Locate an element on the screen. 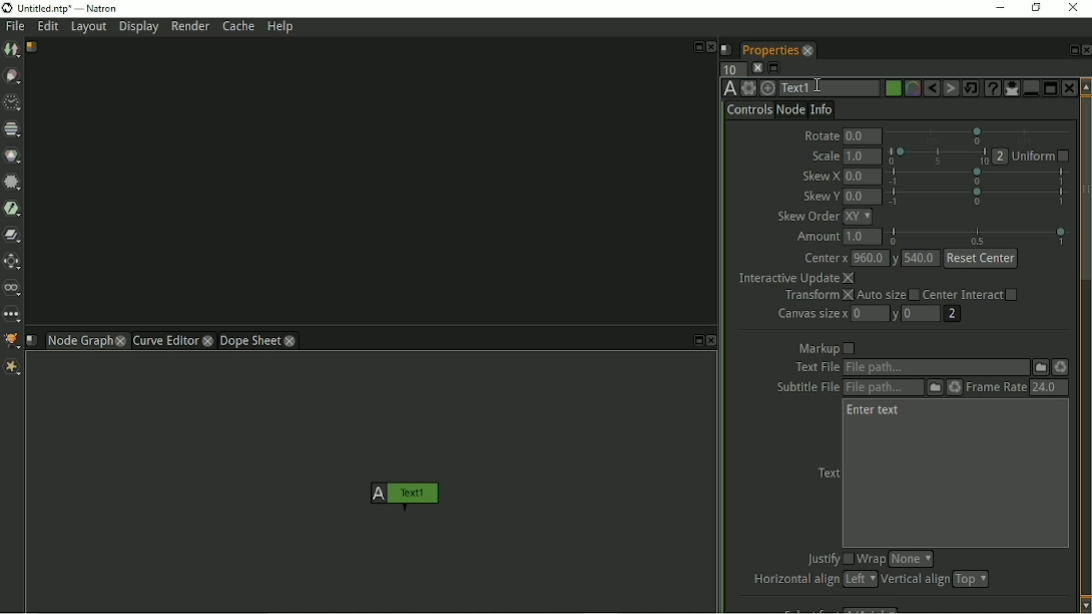 Image resolution: width=1092 pixels, height=614 pixels. Maximize is located at coordinates (1050, 87).